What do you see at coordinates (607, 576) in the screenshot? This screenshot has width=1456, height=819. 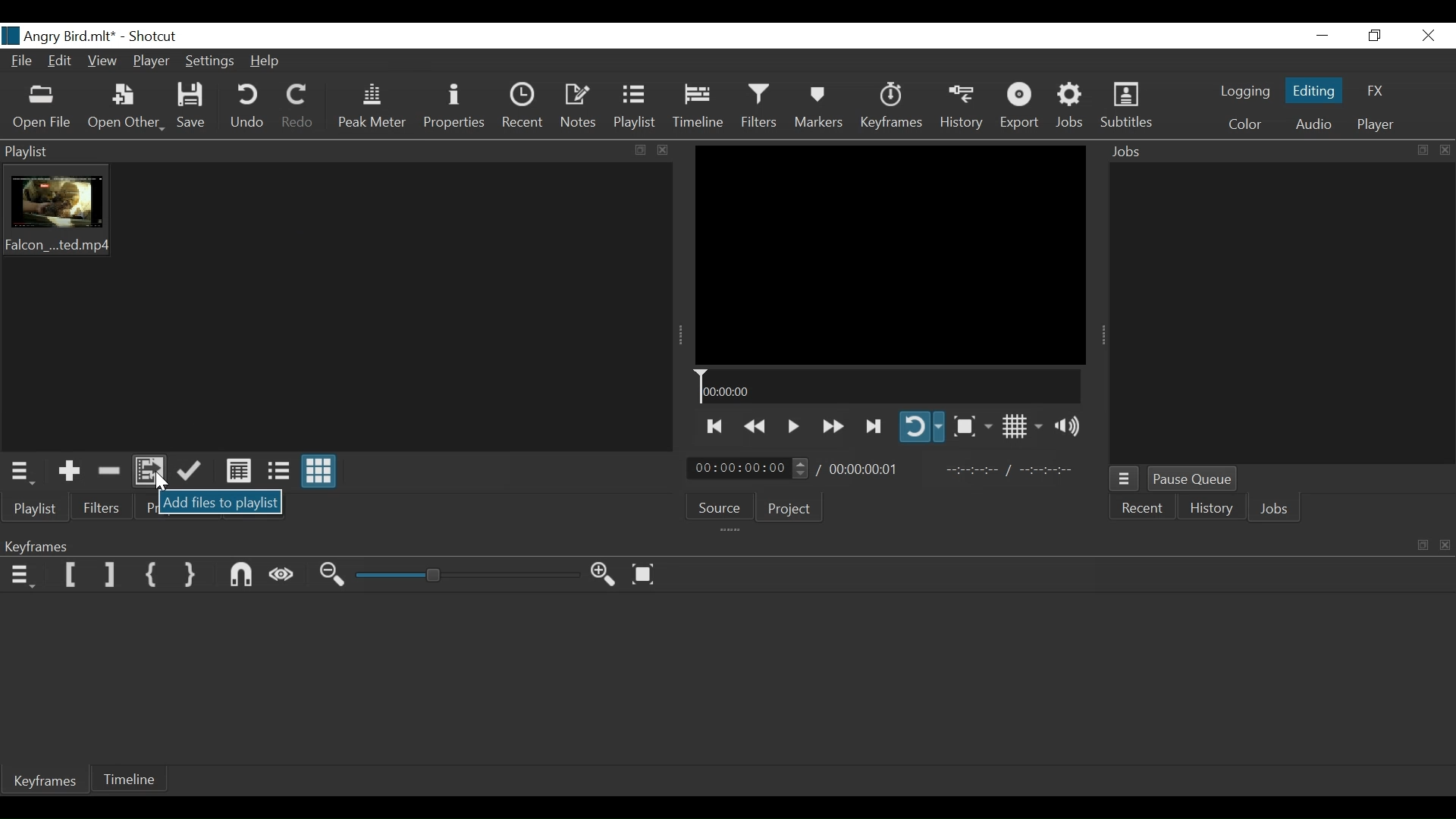 I see `Zoom Keyframe in` at bounding box center [607, 576].